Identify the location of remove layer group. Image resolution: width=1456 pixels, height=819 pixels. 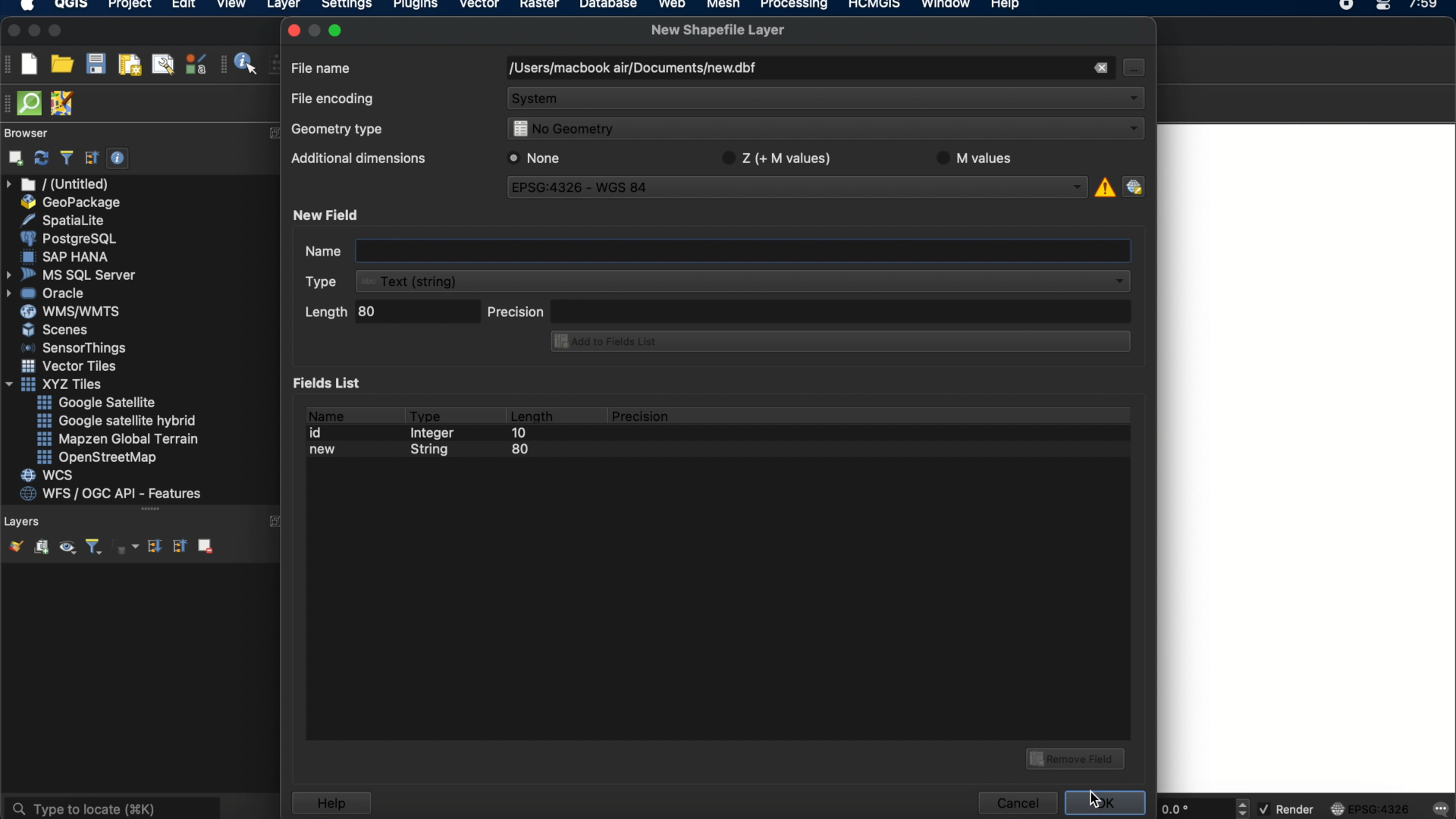
(204, 545).